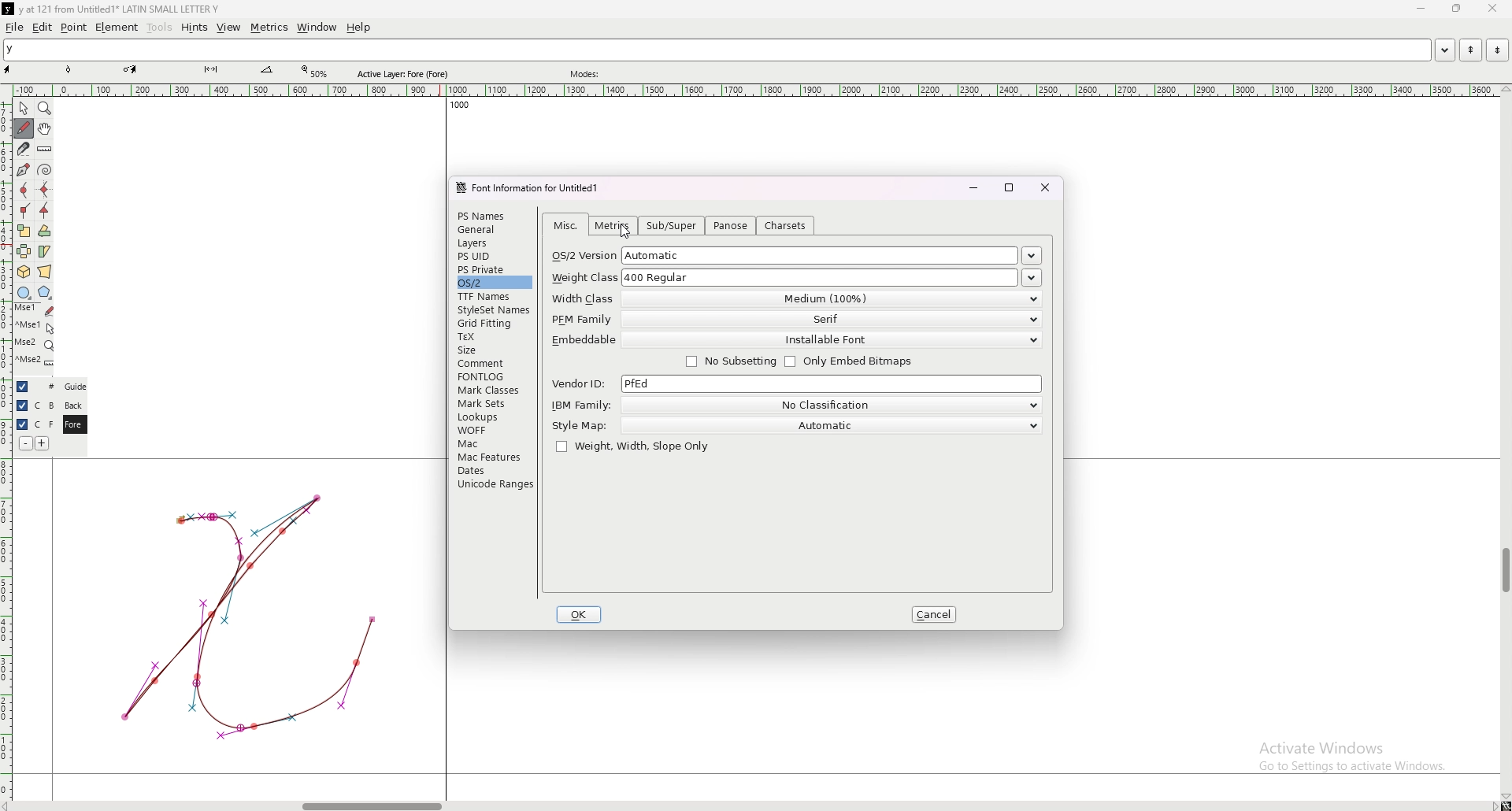  Describe the element at coordinates (22, 168) in the screenshot. I see `add a point, then drag out its control points` at that location.